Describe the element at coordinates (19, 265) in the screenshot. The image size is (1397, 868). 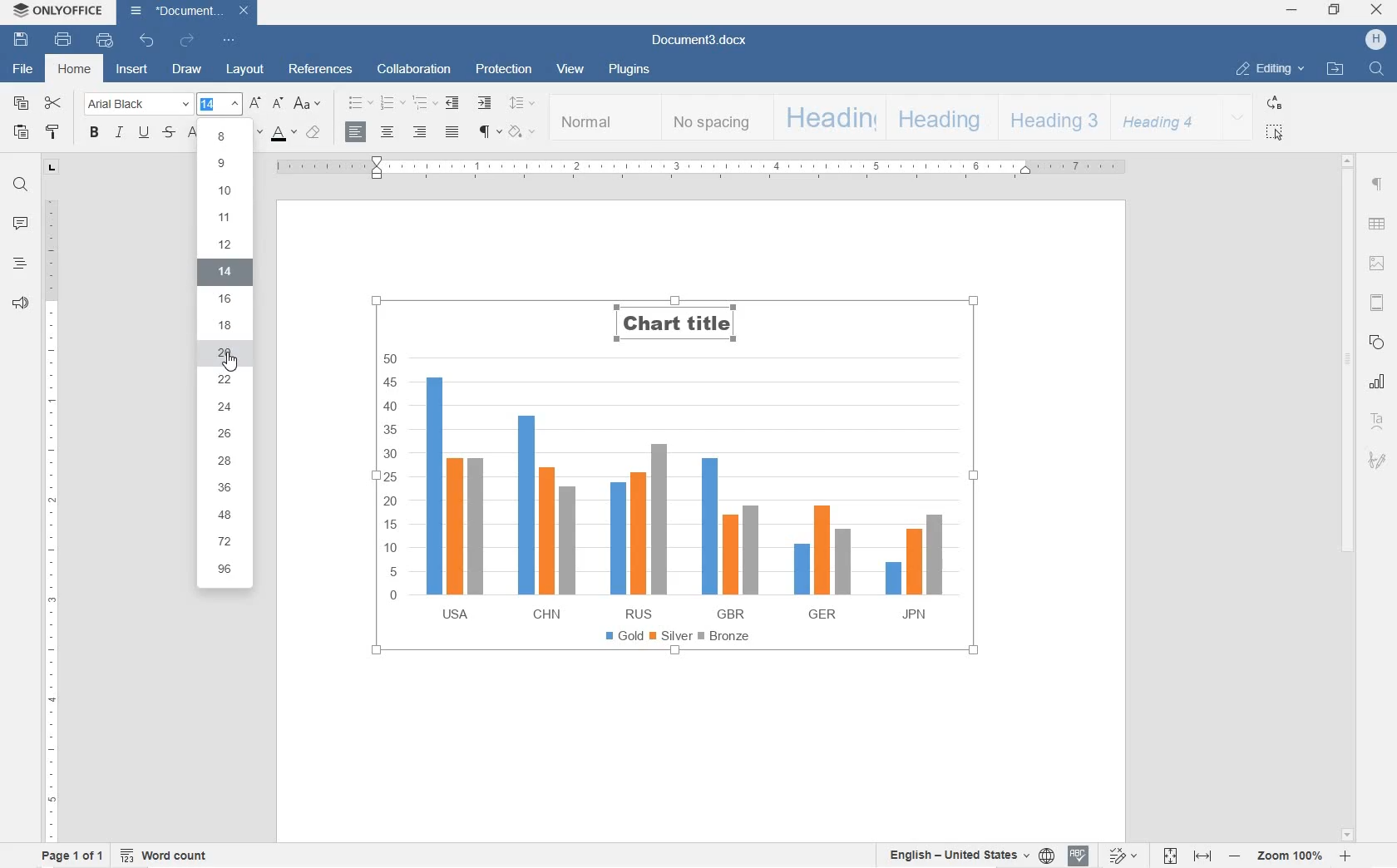
I see `HEADINGS` at that location.